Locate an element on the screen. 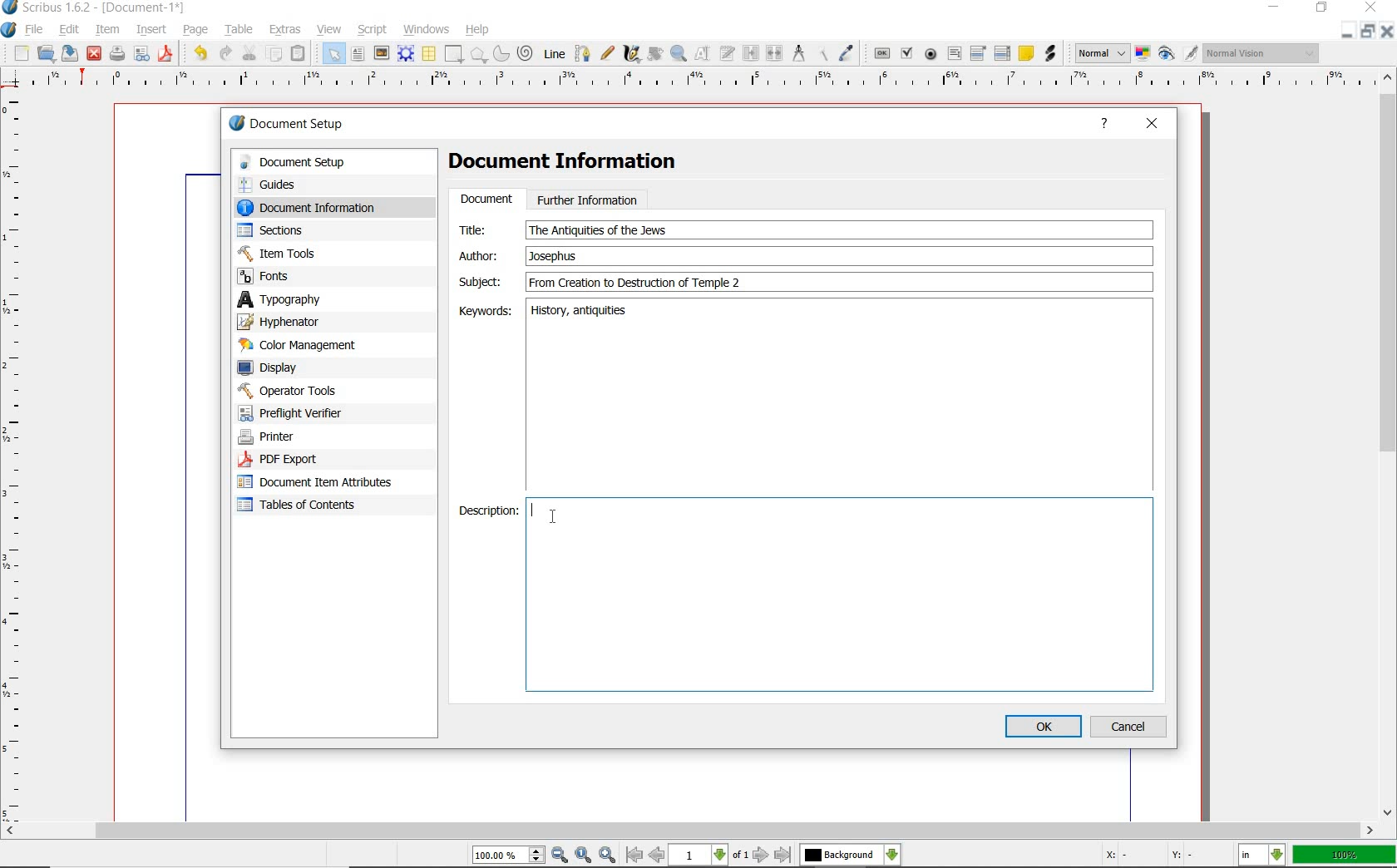  pdf text field is located at coordinates (954, 54).